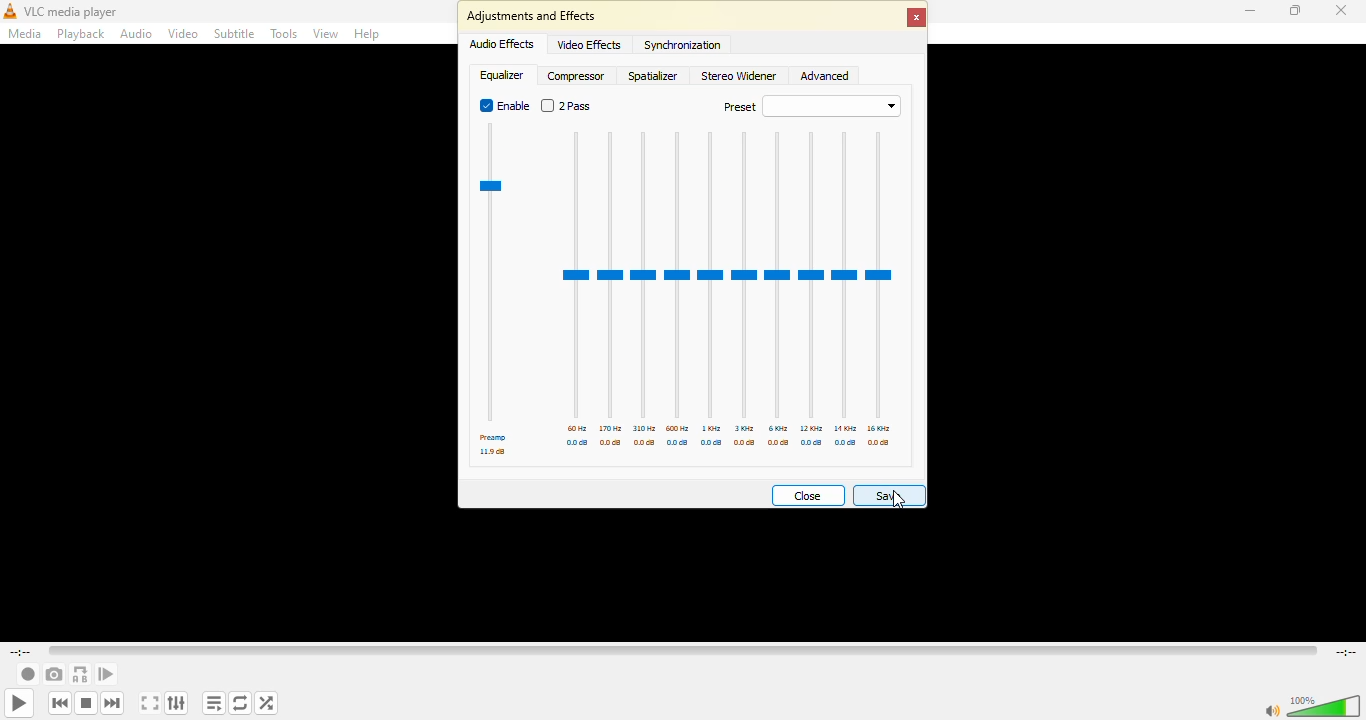 Image resolution: width=1366 pixels, height=720 pixels. I want to click on 12 khz, so click(813, 428).